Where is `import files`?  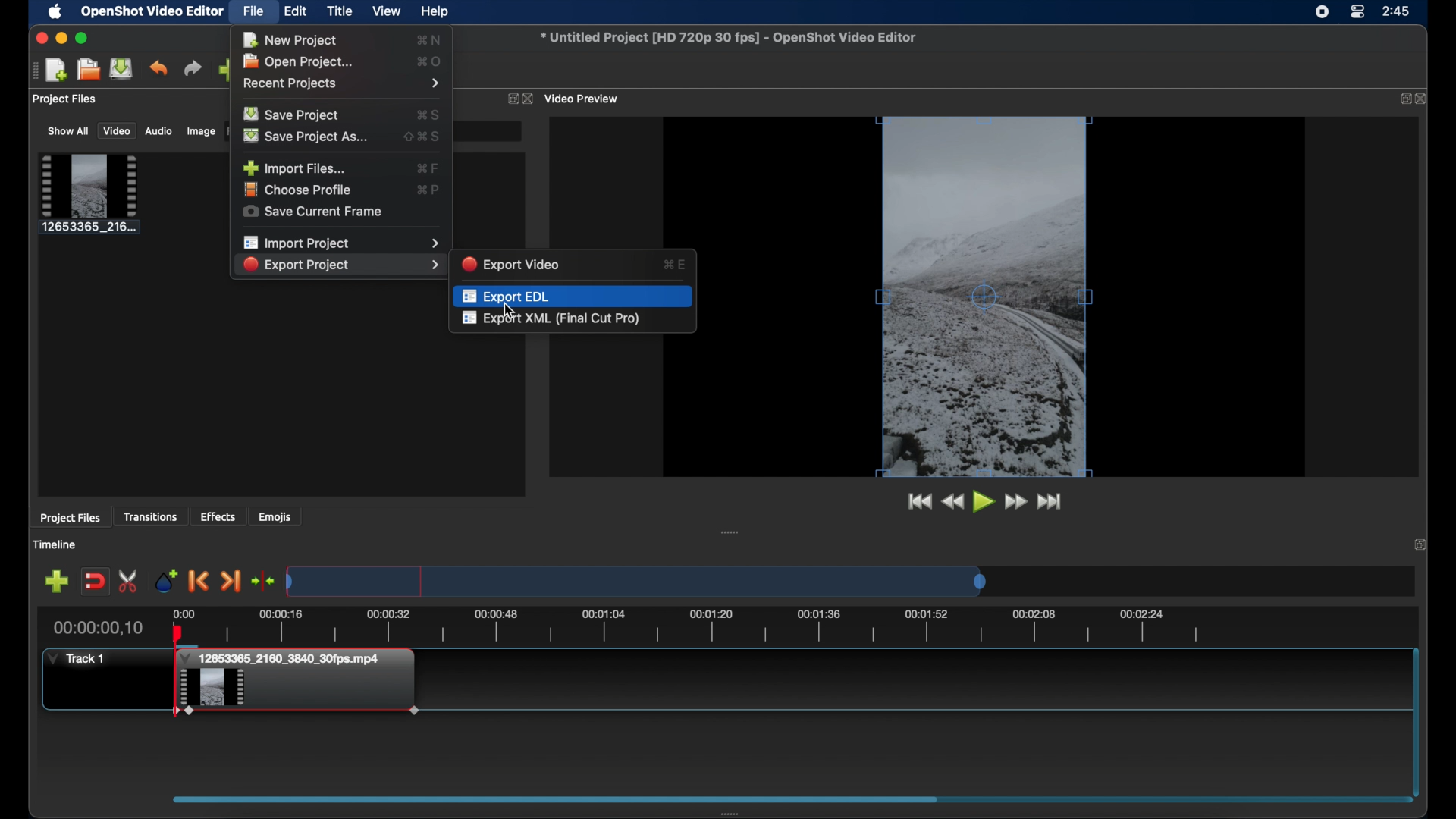 import files is located at coordinates (294, 167).